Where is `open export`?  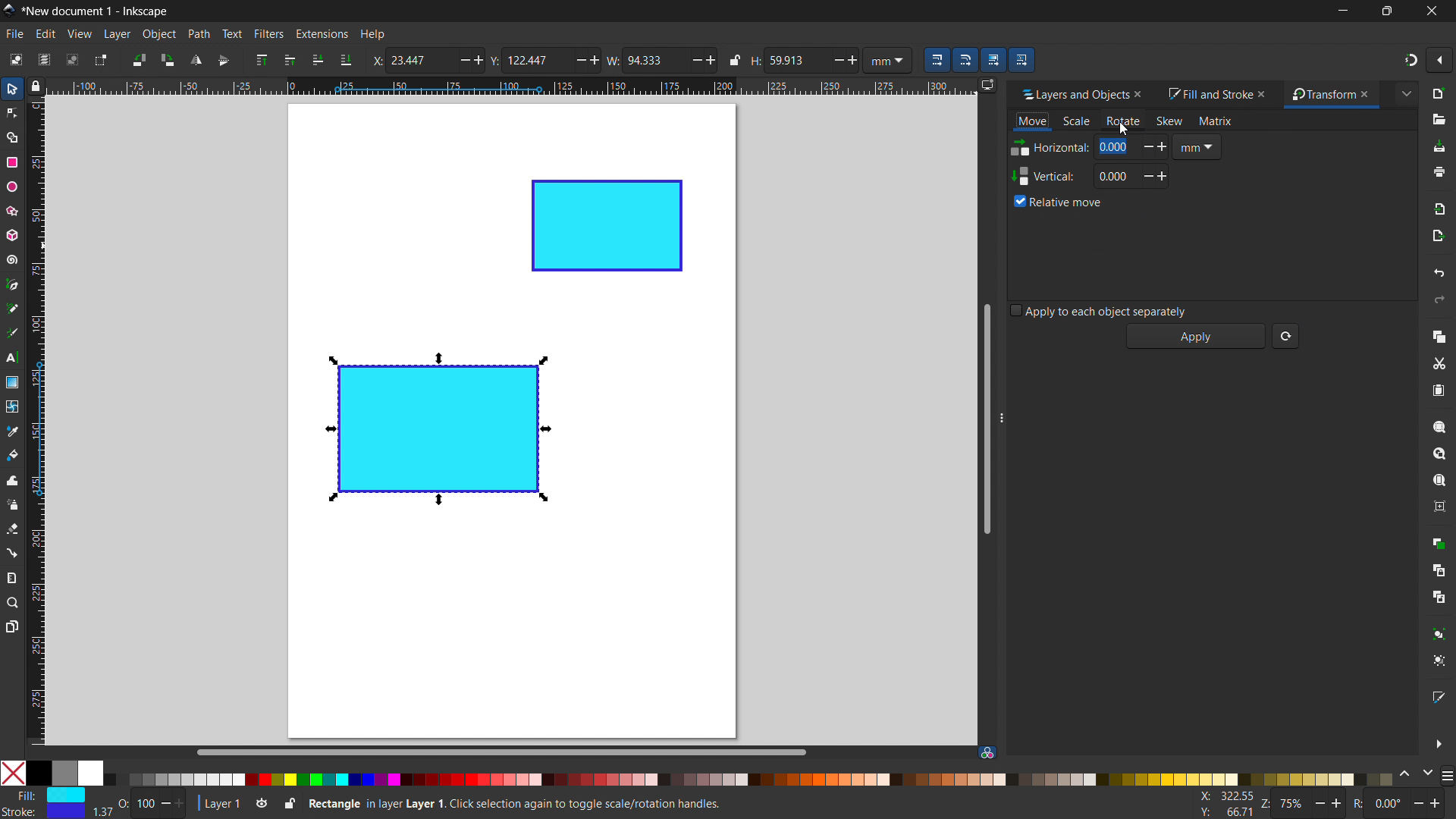 open export is located at coordinates (1438, 235).